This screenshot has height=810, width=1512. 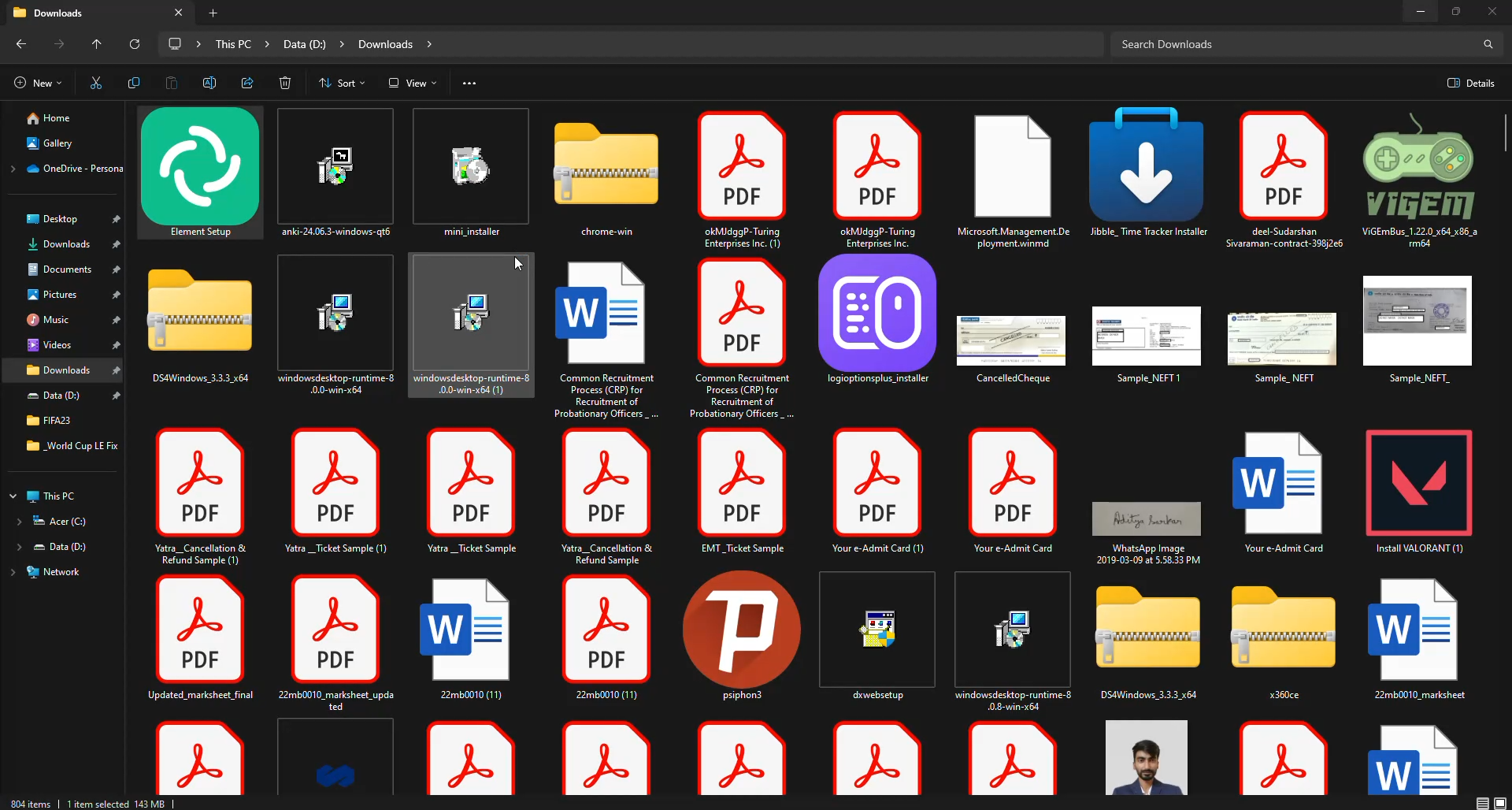 I want to click on file, so click(x=752, y=341).